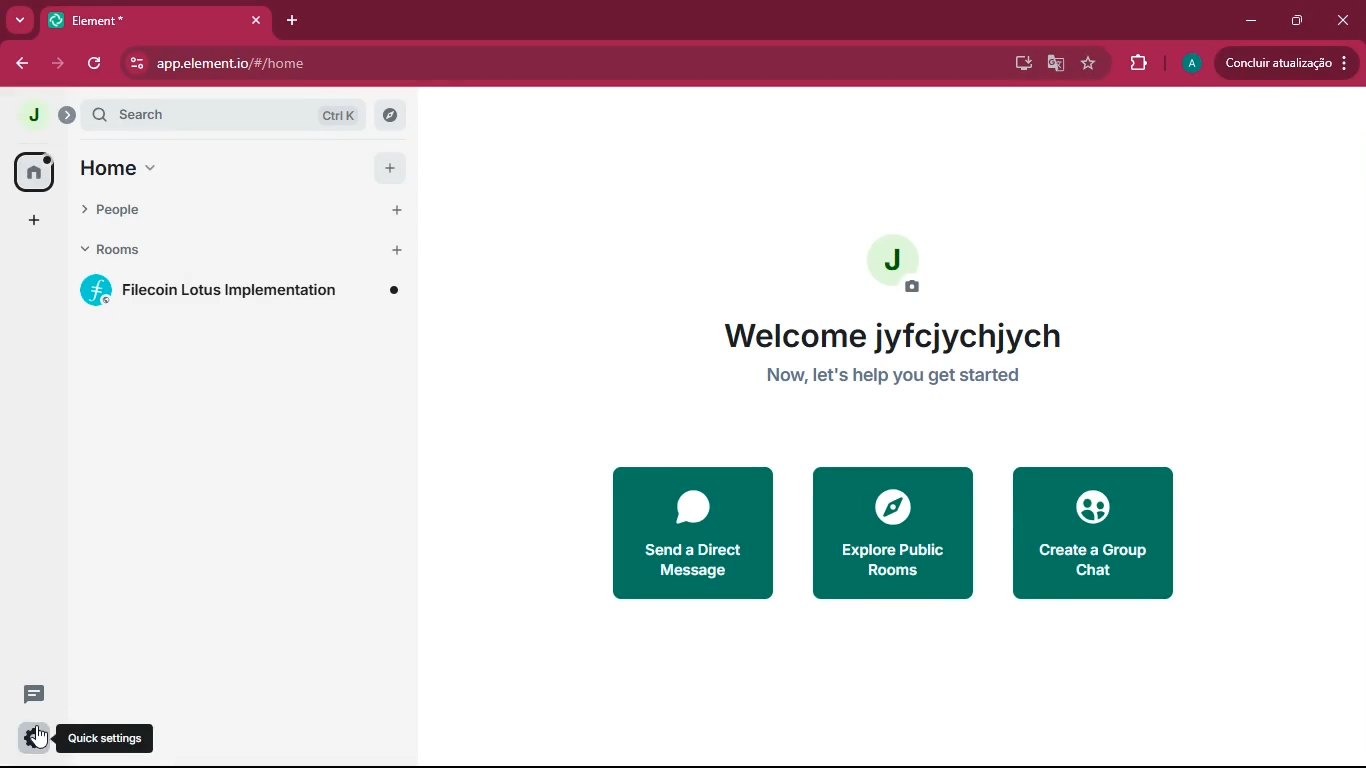  Describe the element at coordinates (28, 738) in the screenshot. I see `options` at that location.